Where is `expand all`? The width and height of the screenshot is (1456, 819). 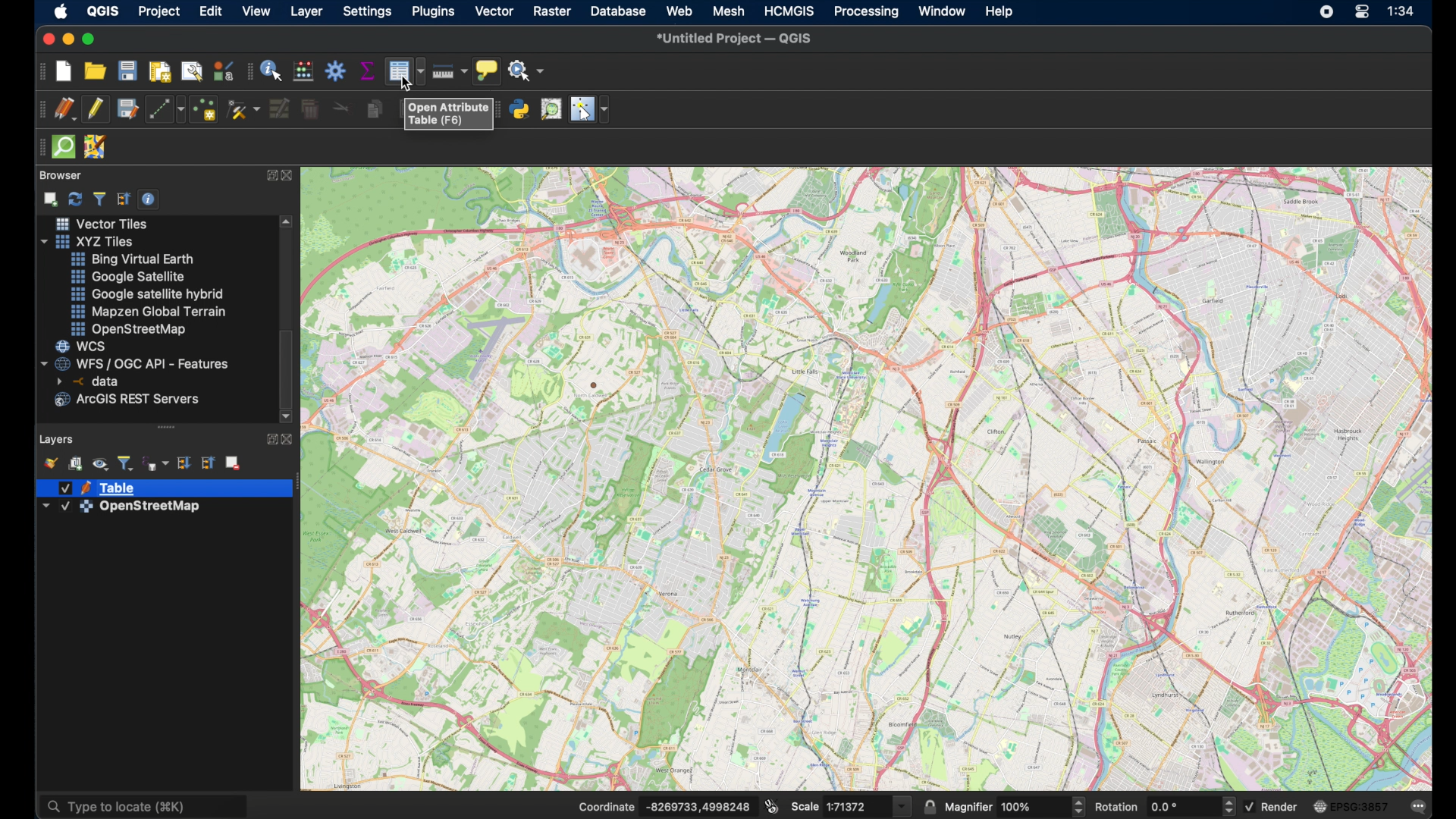
expand all is located at coordinates (184, 463).